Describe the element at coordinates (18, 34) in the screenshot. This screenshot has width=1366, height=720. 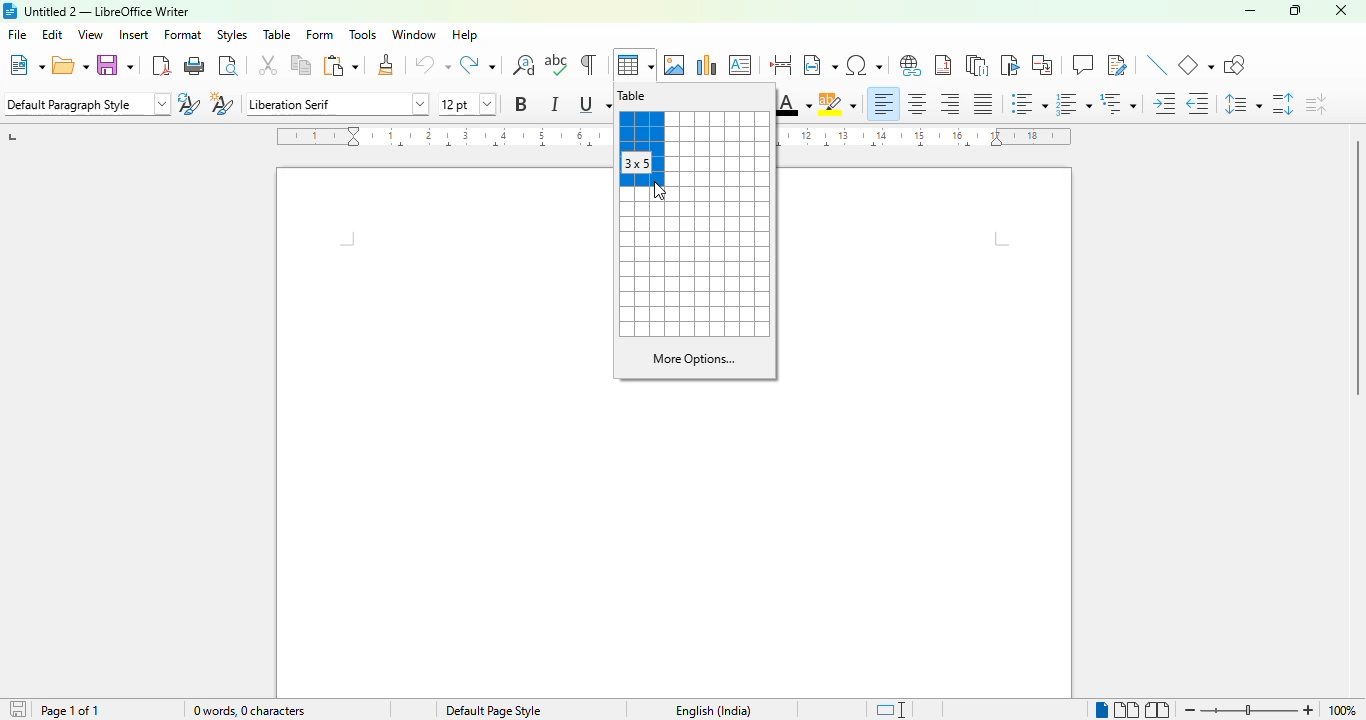
I see `file` at that location.